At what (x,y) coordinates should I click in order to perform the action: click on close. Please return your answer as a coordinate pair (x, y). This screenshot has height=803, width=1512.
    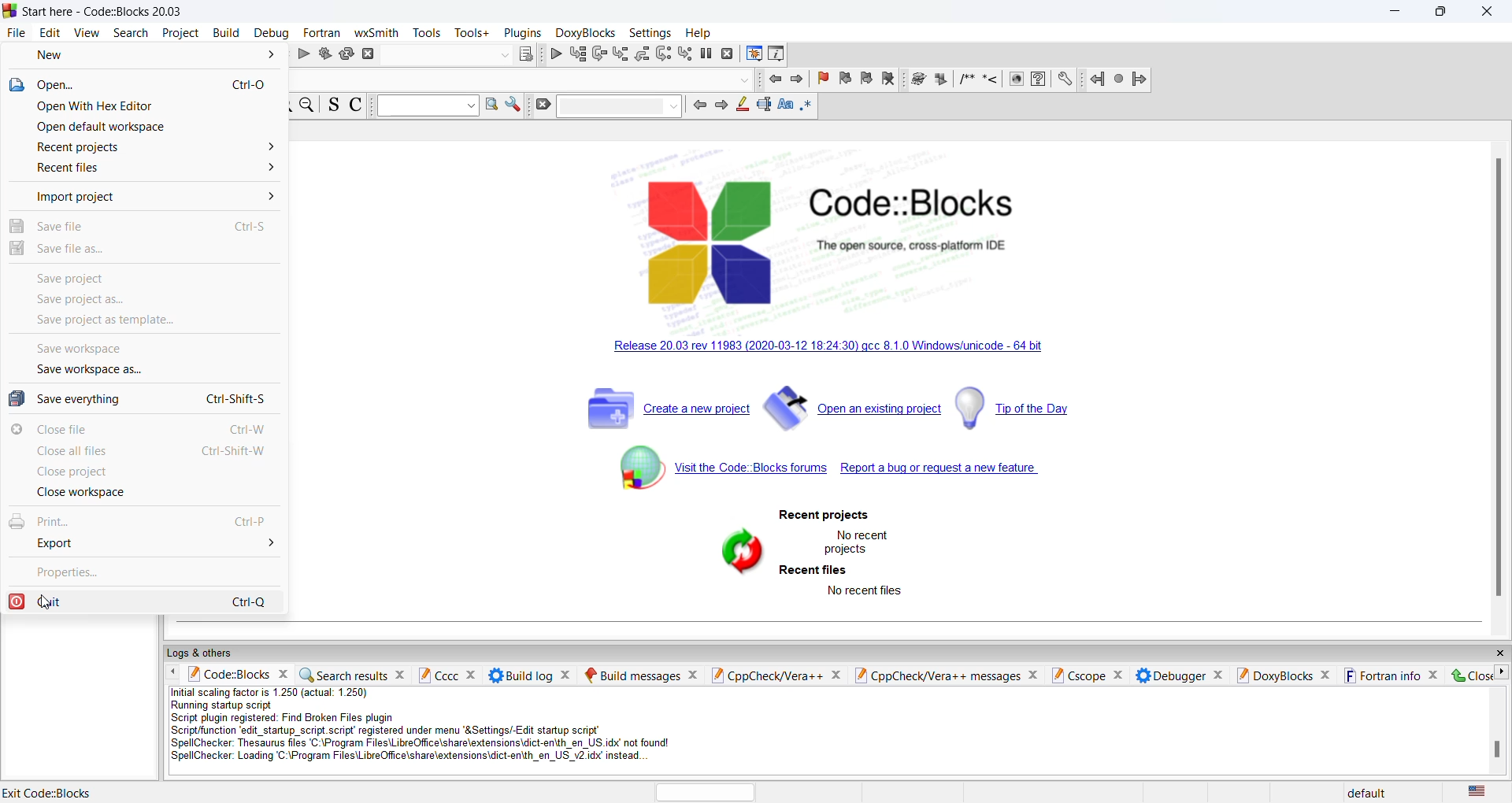
    Looking at the image, I should click on (1490, 13).